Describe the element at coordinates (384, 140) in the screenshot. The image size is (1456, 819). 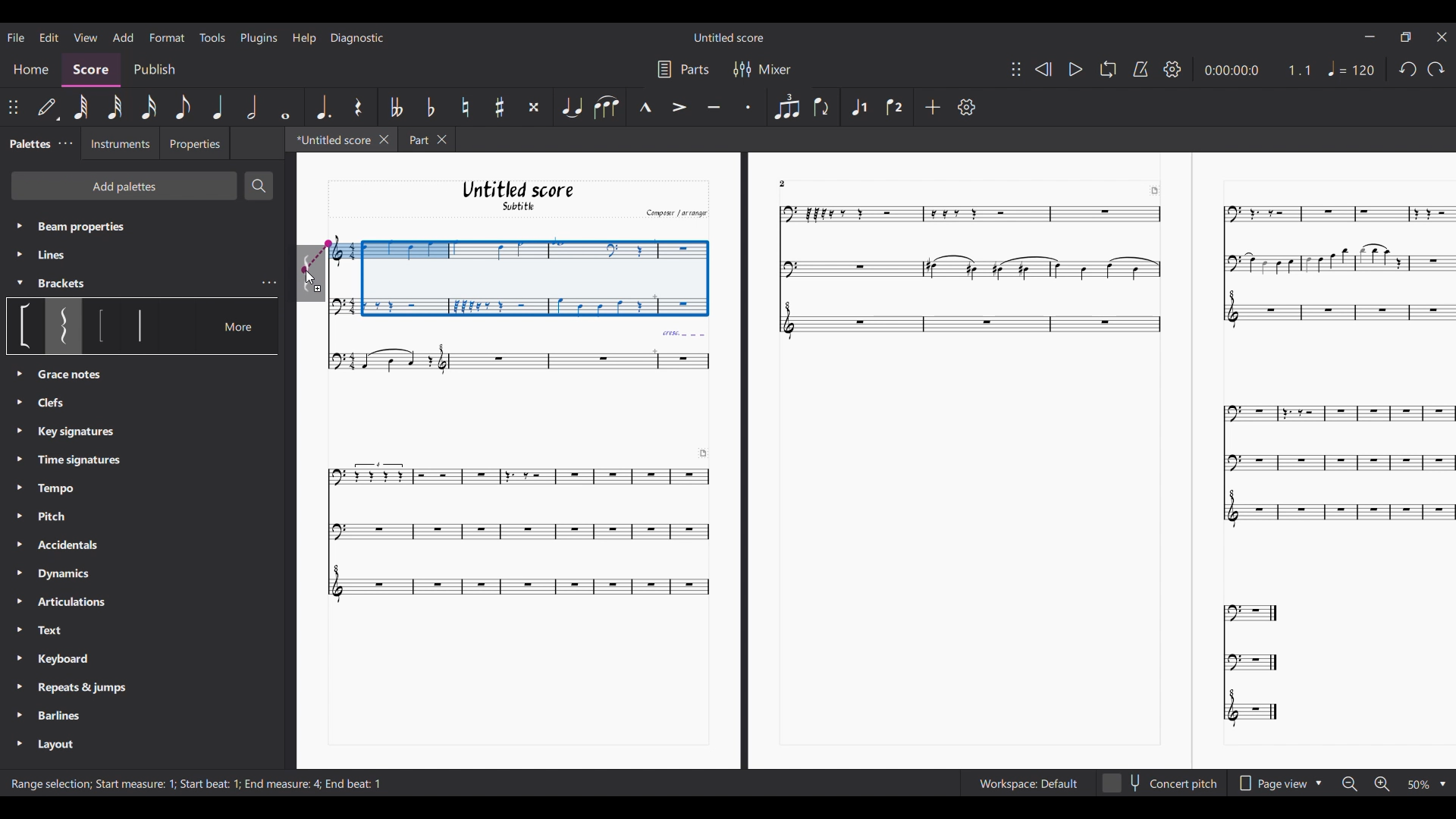
I see `Close` at that location.